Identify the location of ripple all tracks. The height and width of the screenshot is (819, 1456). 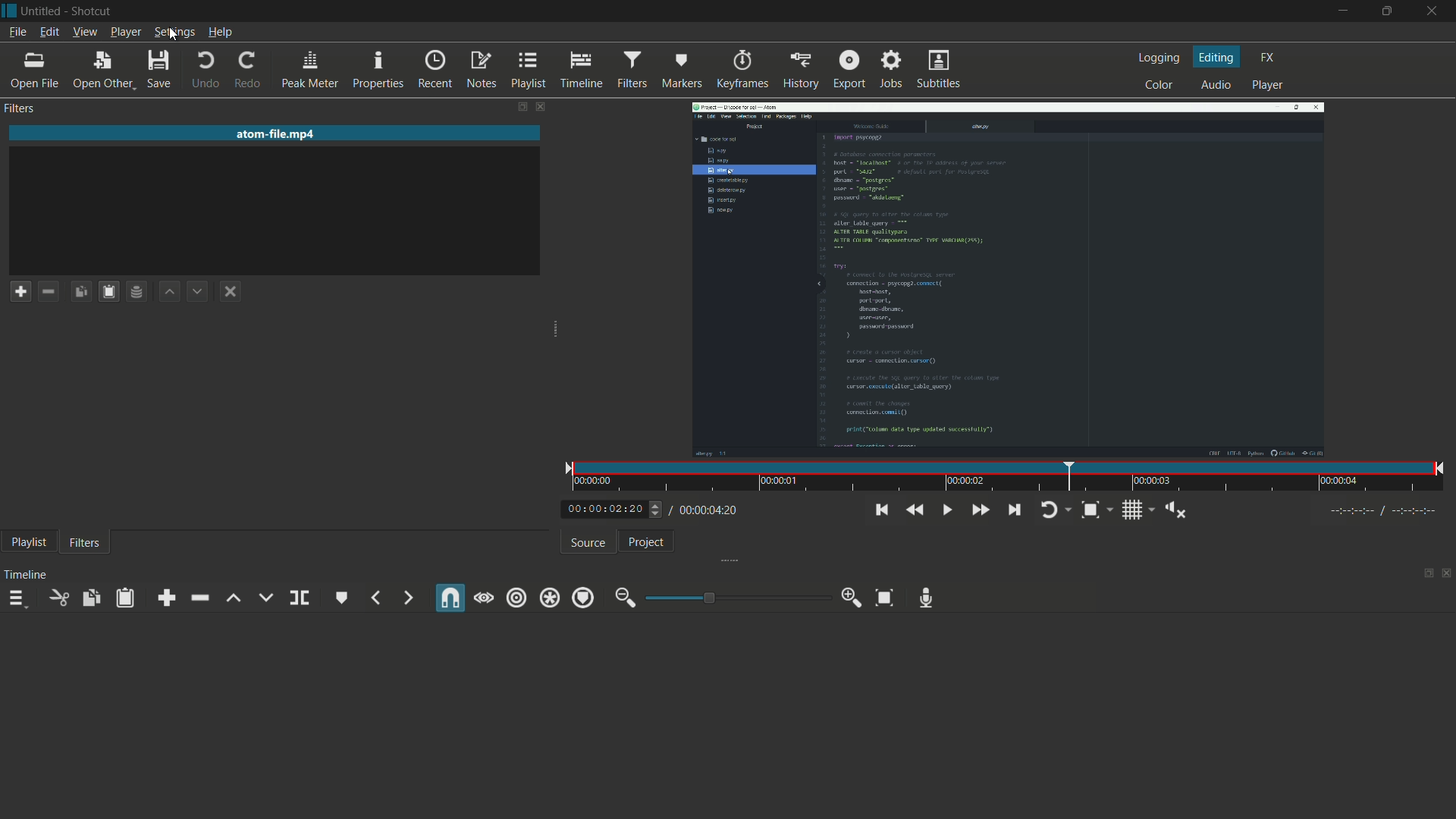
(548, 598).